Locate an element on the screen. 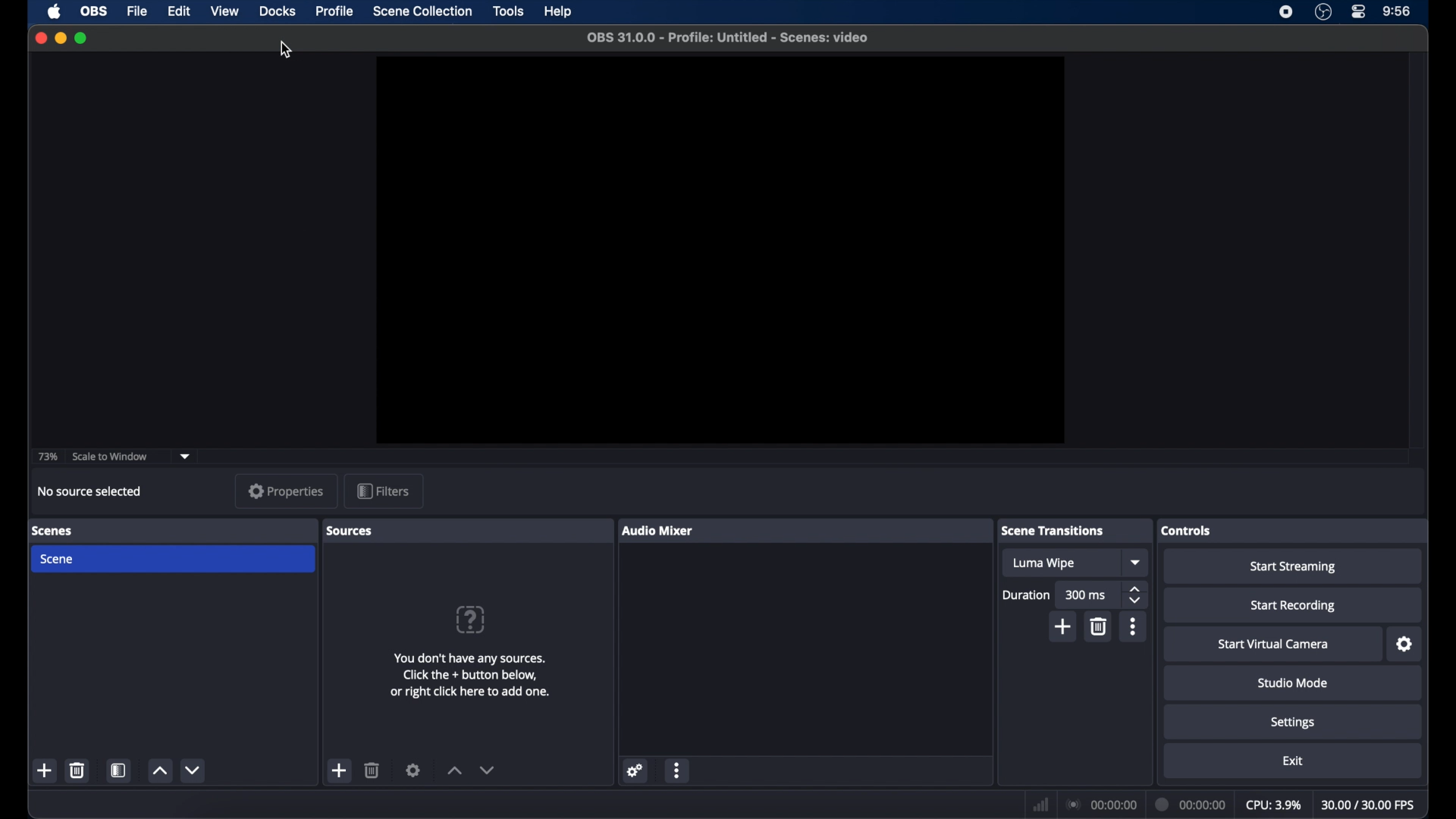 Image resolution: width=1456 pixels, height=819 pixels. control center is located at coordinates (1360, 11).